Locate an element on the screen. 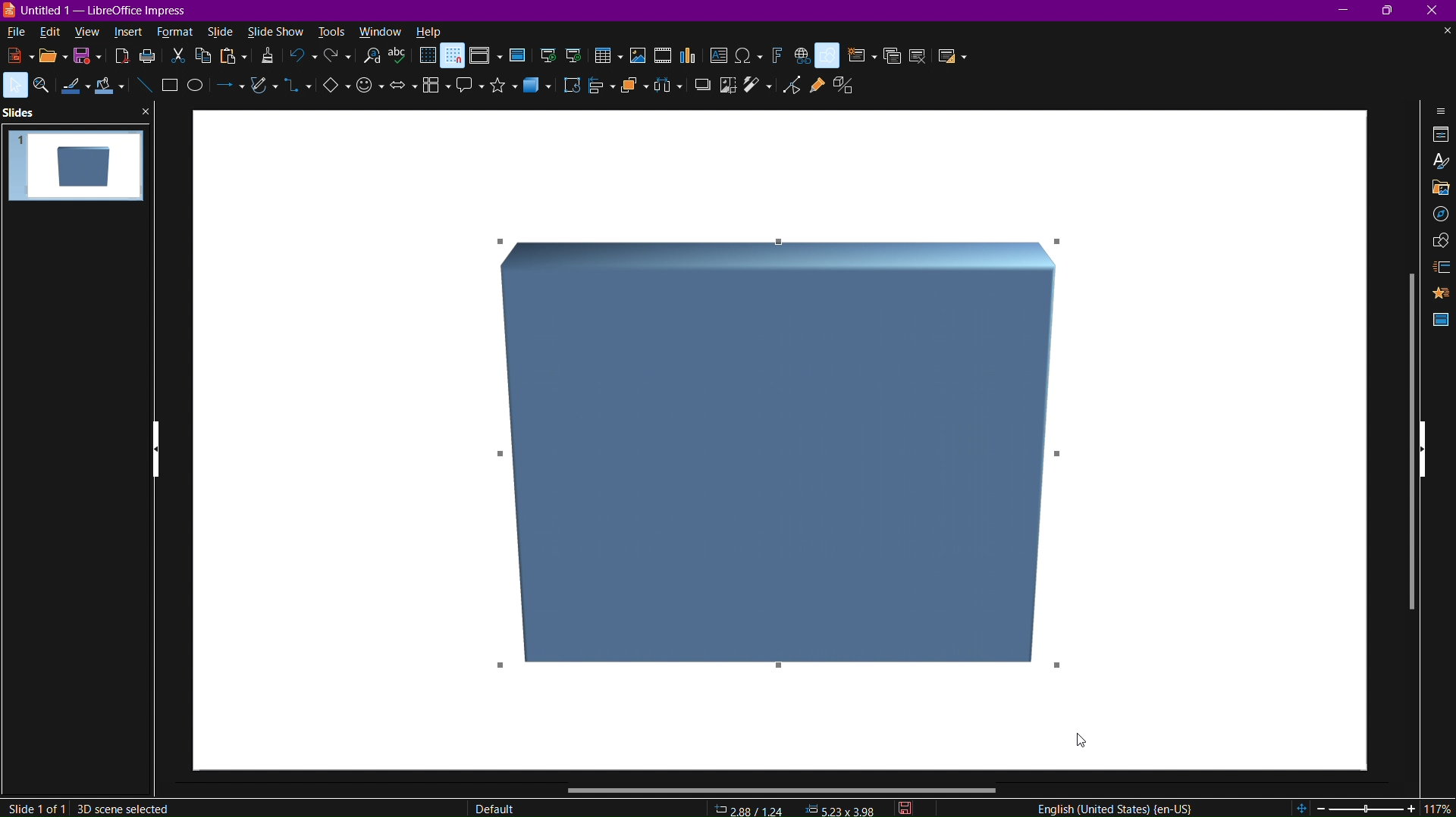 This screenshot has width=1456, height=817. Ellipse is located at coordinates (199, 92).